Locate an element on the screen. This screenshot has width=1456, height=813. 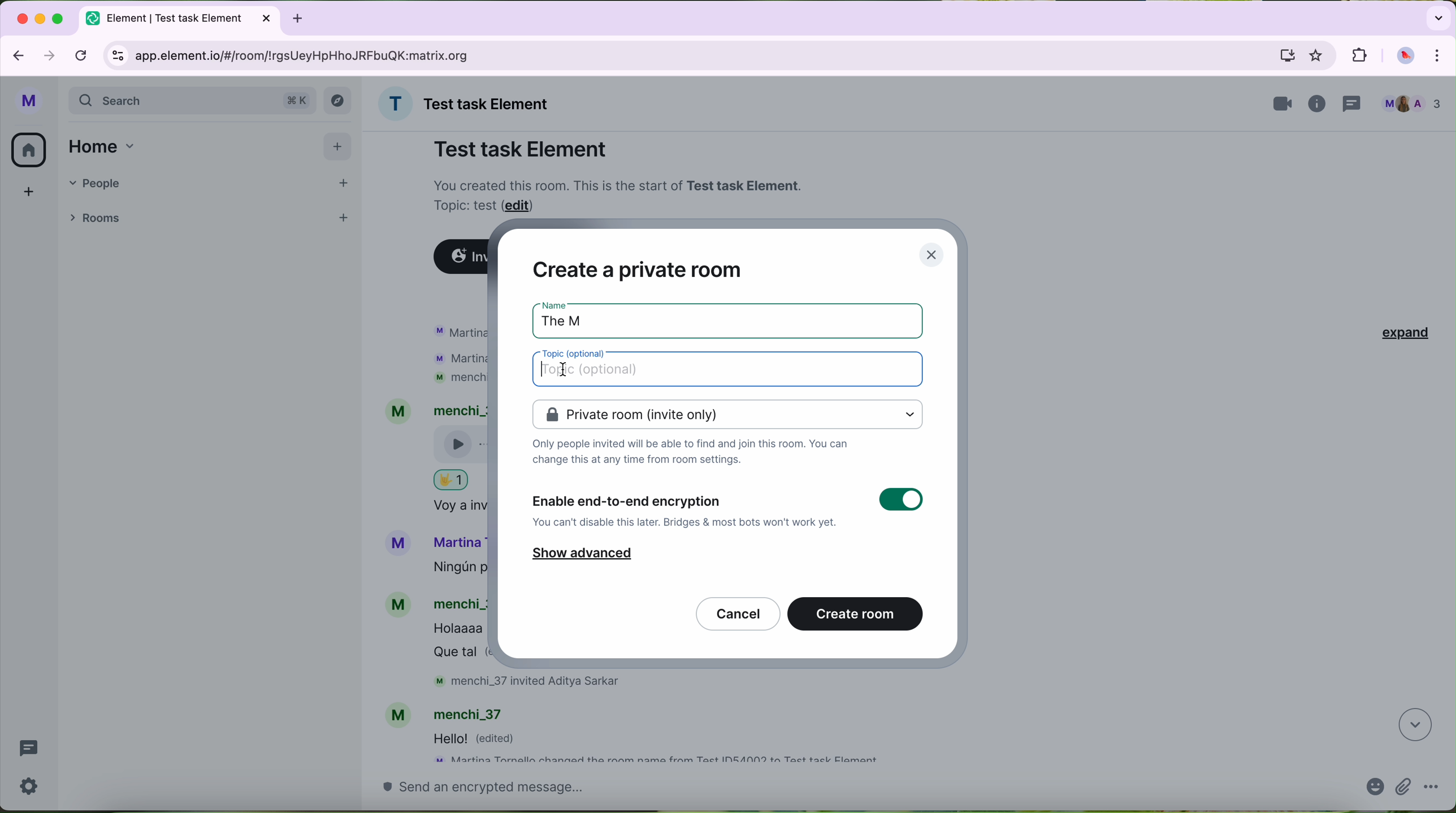
create room is located at coordinates (856, 613).